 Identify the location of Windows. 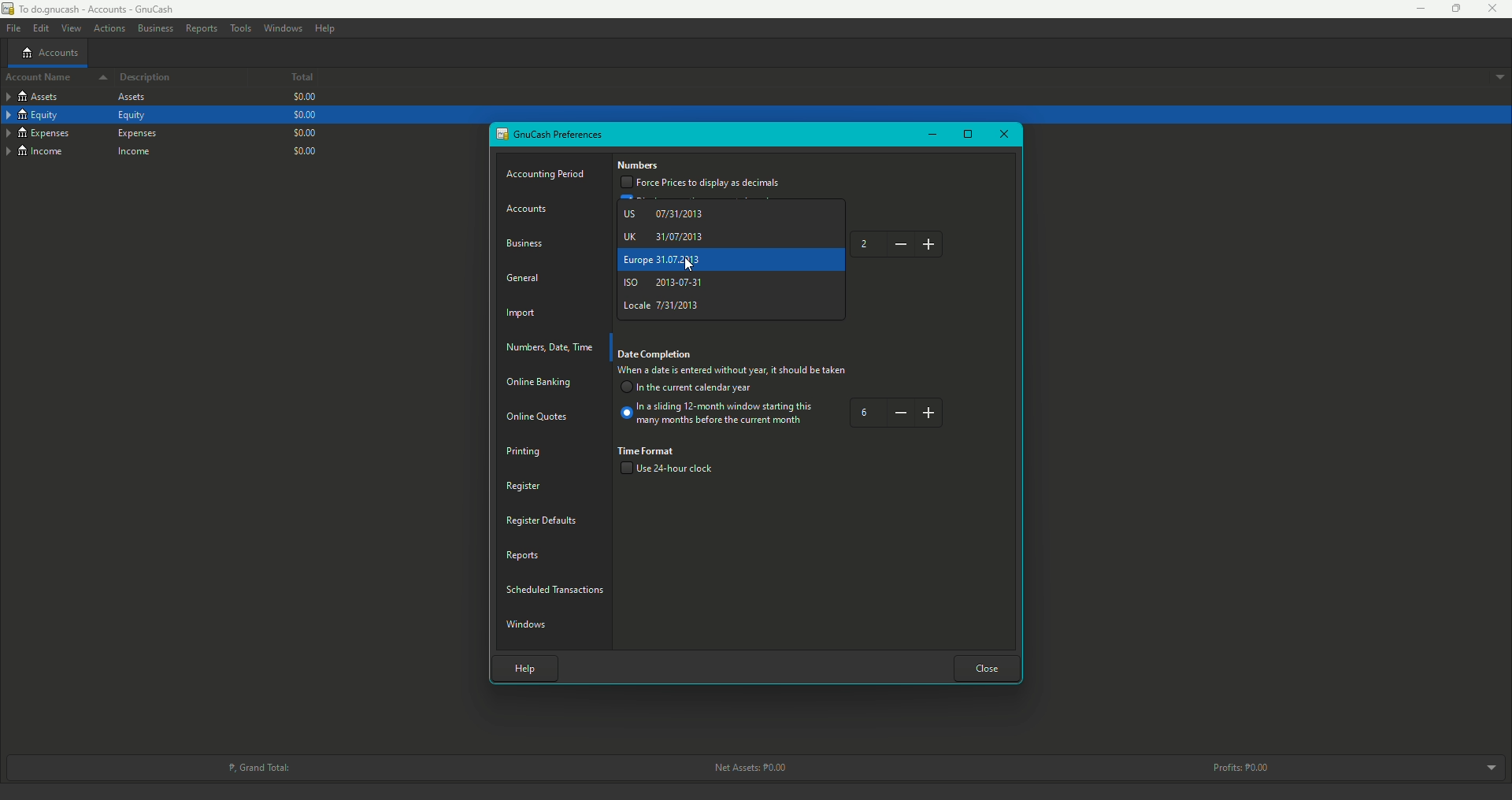
(529, 623).